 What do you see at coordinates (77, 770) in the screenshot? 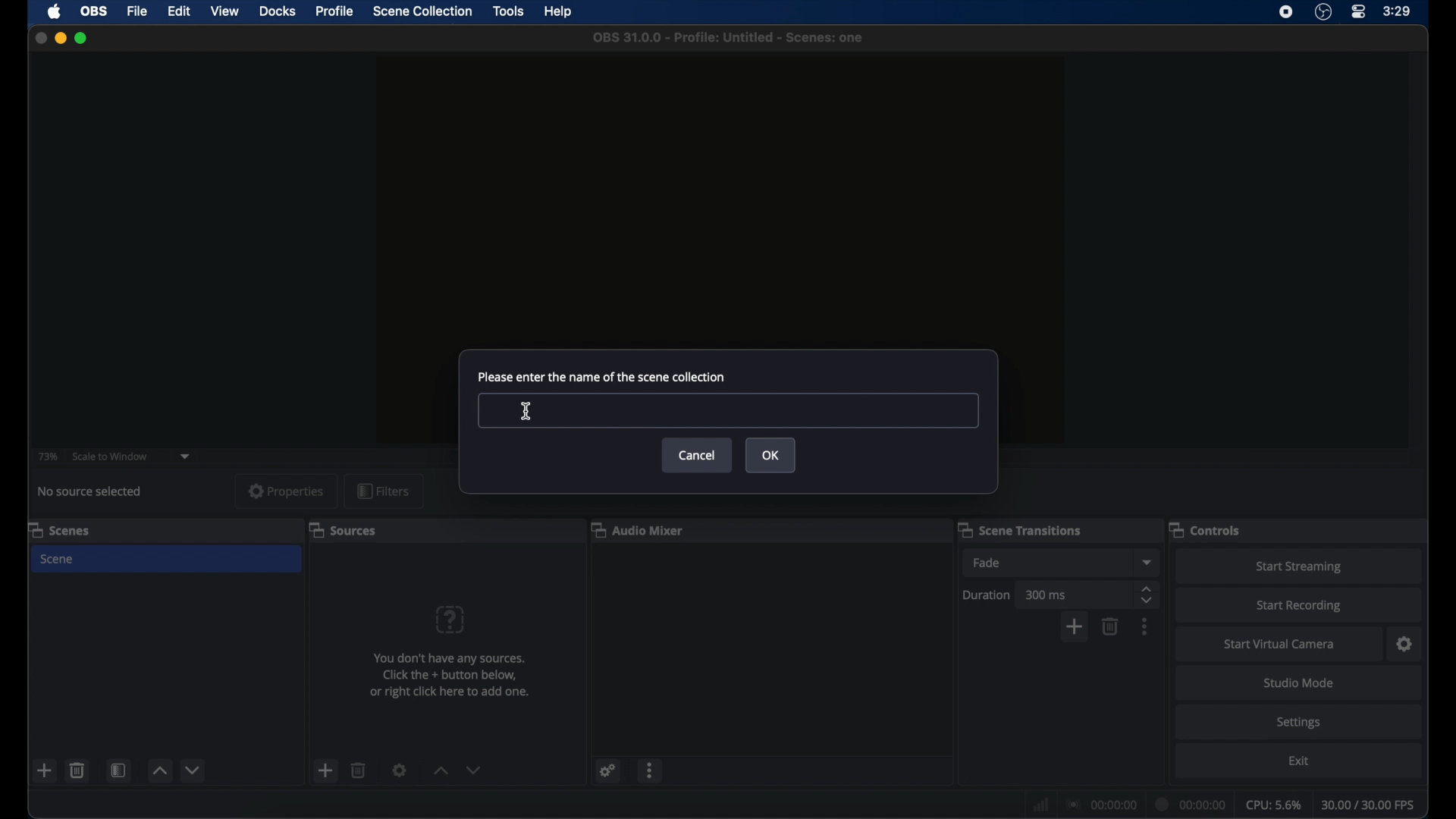
I see `delete` at bounding box center [77, 770].